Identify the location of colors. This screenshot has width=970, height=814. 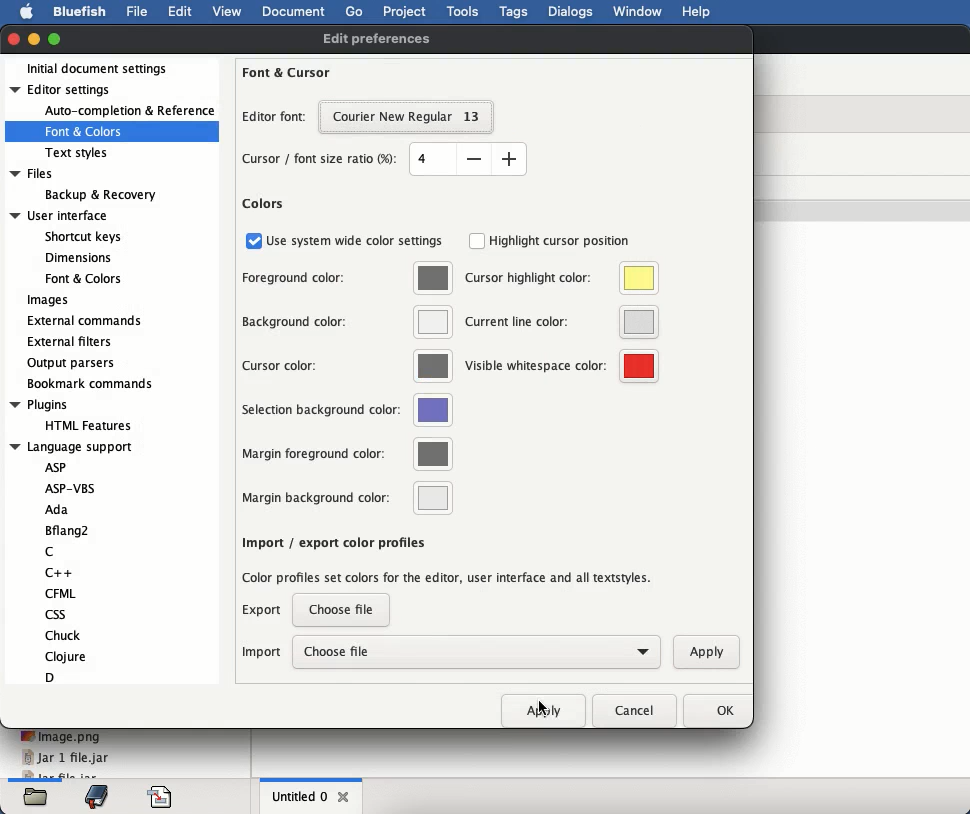
(264, 204).